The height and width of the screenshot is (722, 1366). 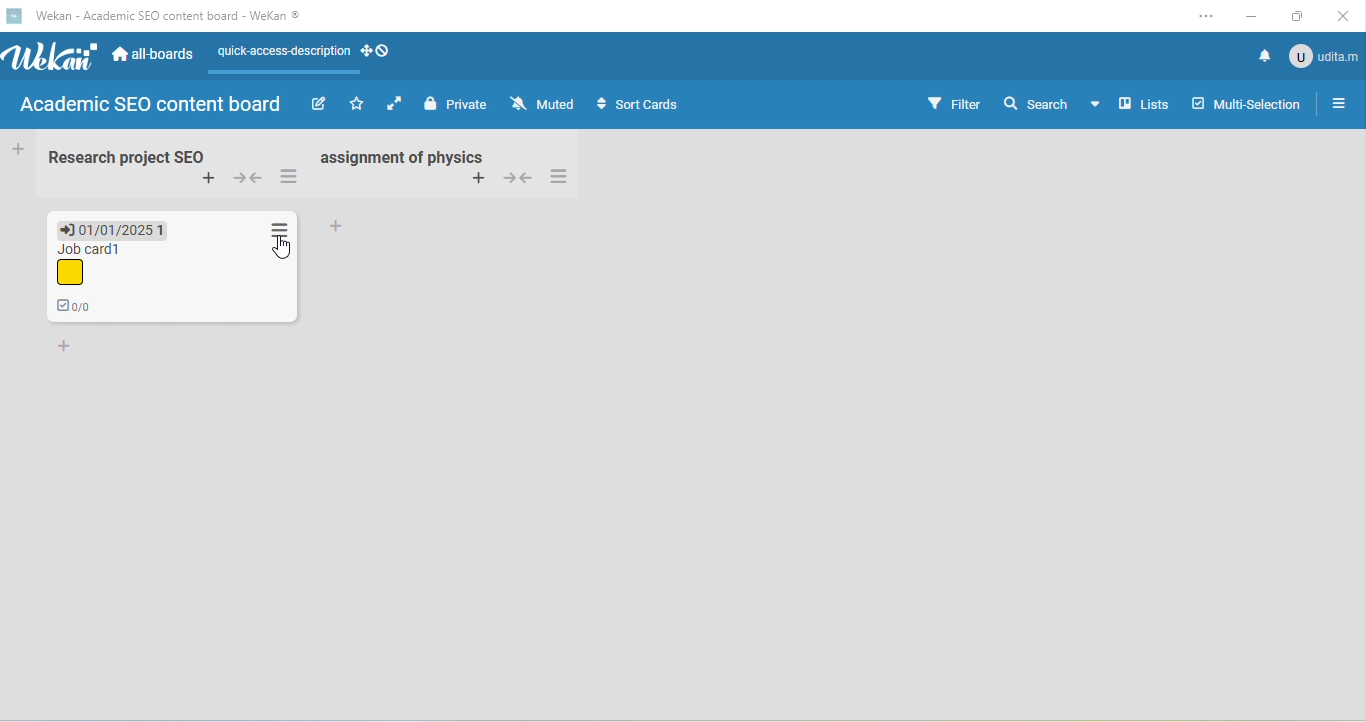 What do you see at coordinates (1250, 105) in the screenshot?
I see `multi selection` at bounding box center [1250, 105].